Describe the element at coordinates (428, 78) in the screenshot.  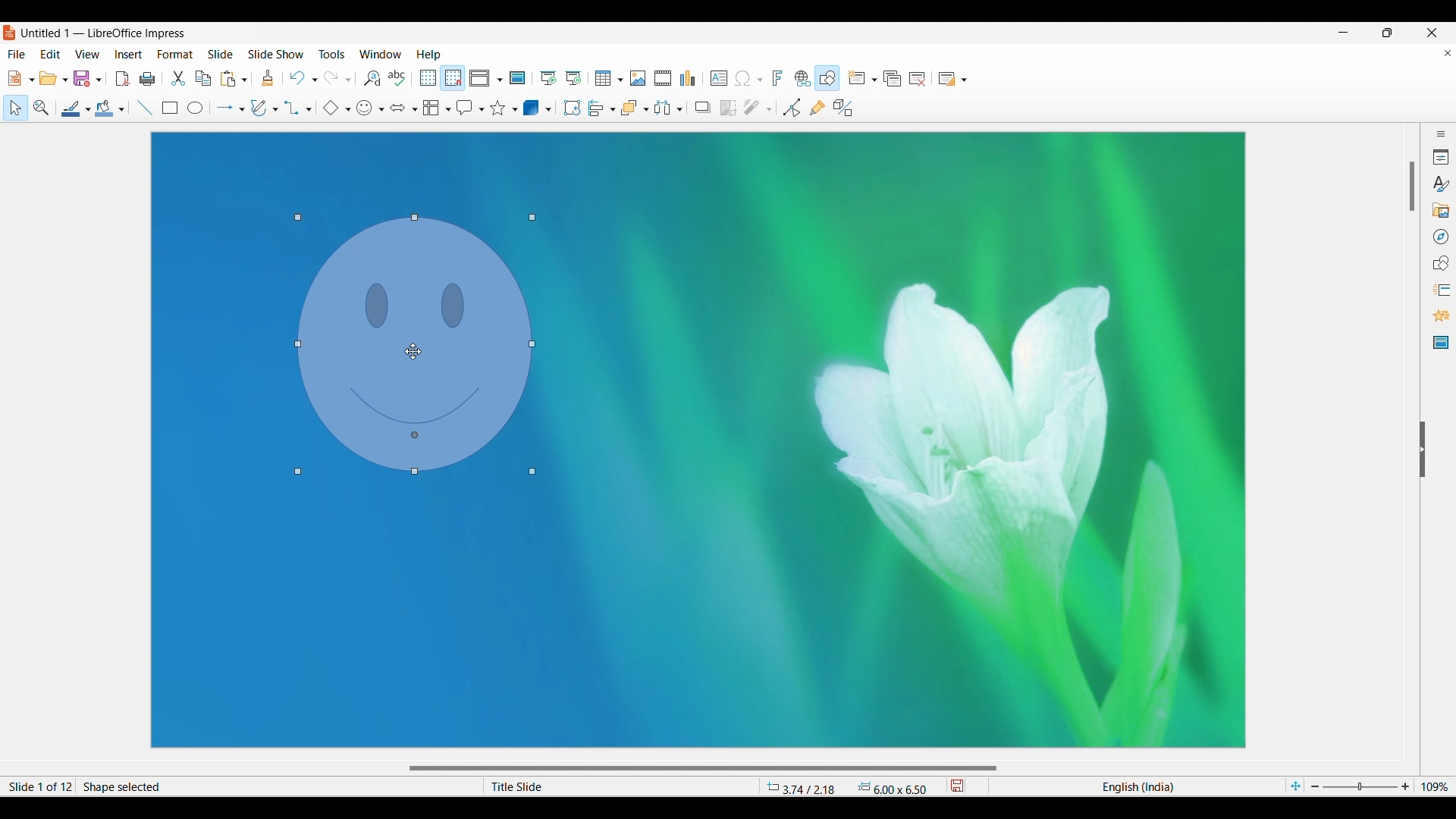
I see `Display grid` at that location.